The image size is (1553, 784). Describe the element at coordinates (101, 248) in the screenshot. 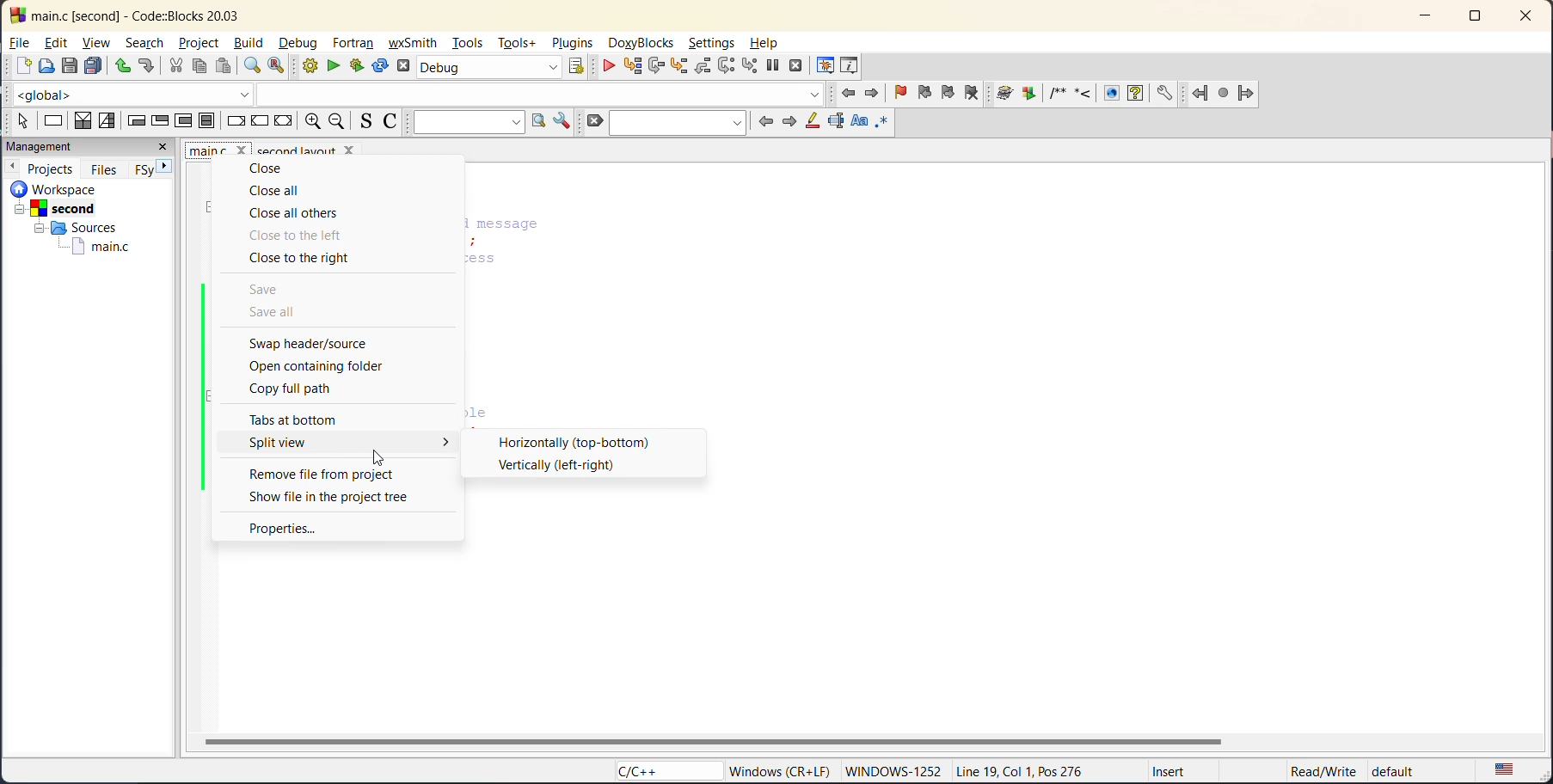

I see `main.c` at that location.